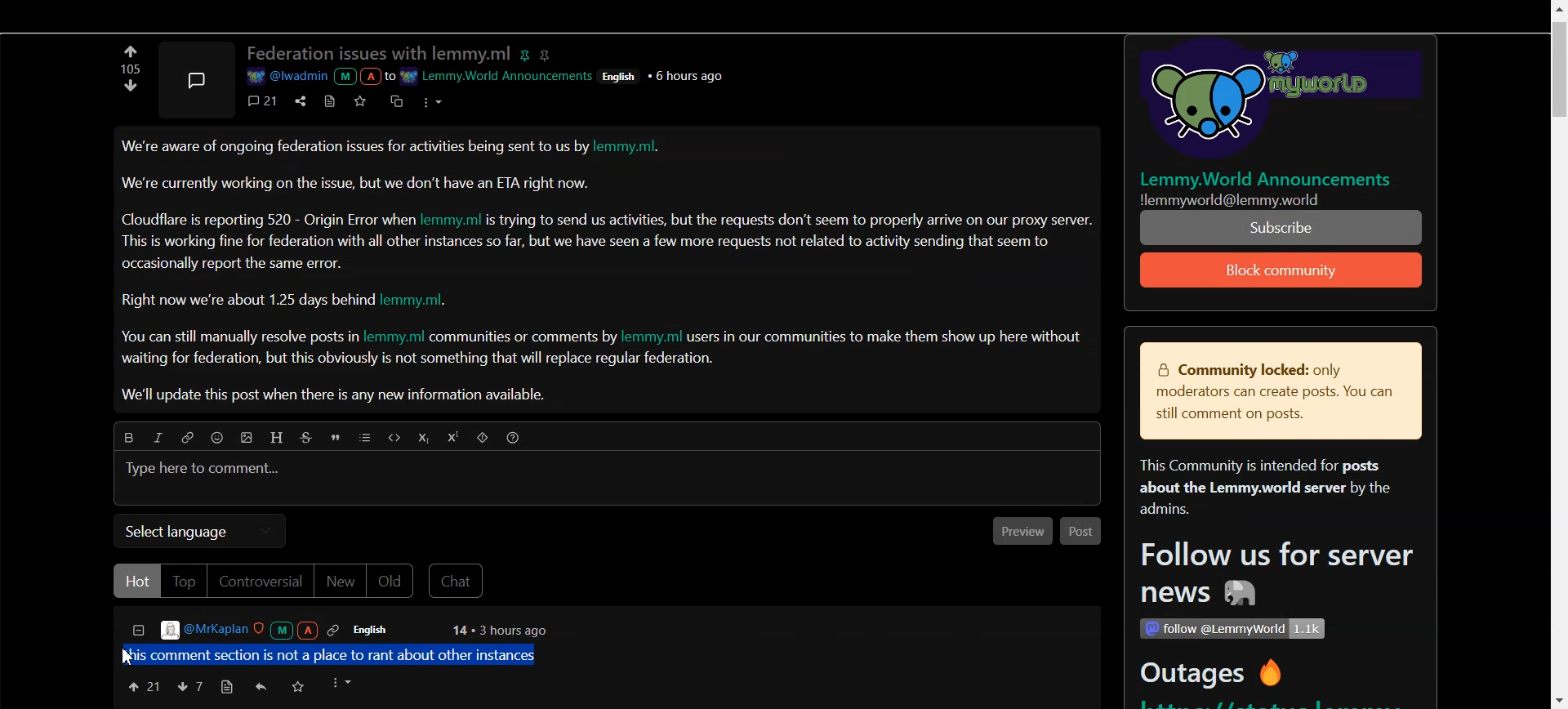  What do you see at coordinates (131, 51) in the screenshot?
I see `Down vote` at bounding box center [131, 51].